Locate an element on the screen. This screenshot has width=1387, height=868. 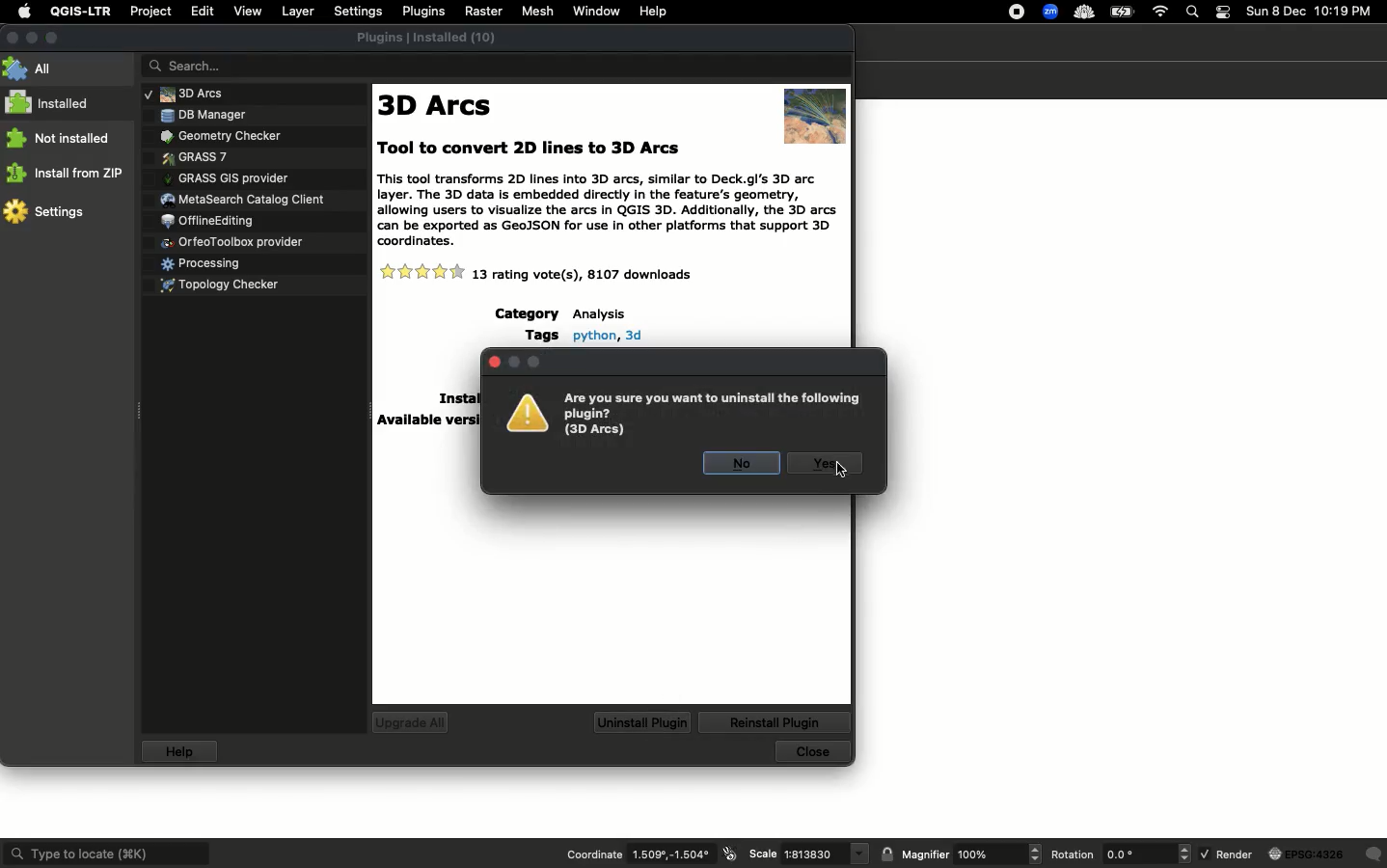
Details is located at coordinates (427, 422).